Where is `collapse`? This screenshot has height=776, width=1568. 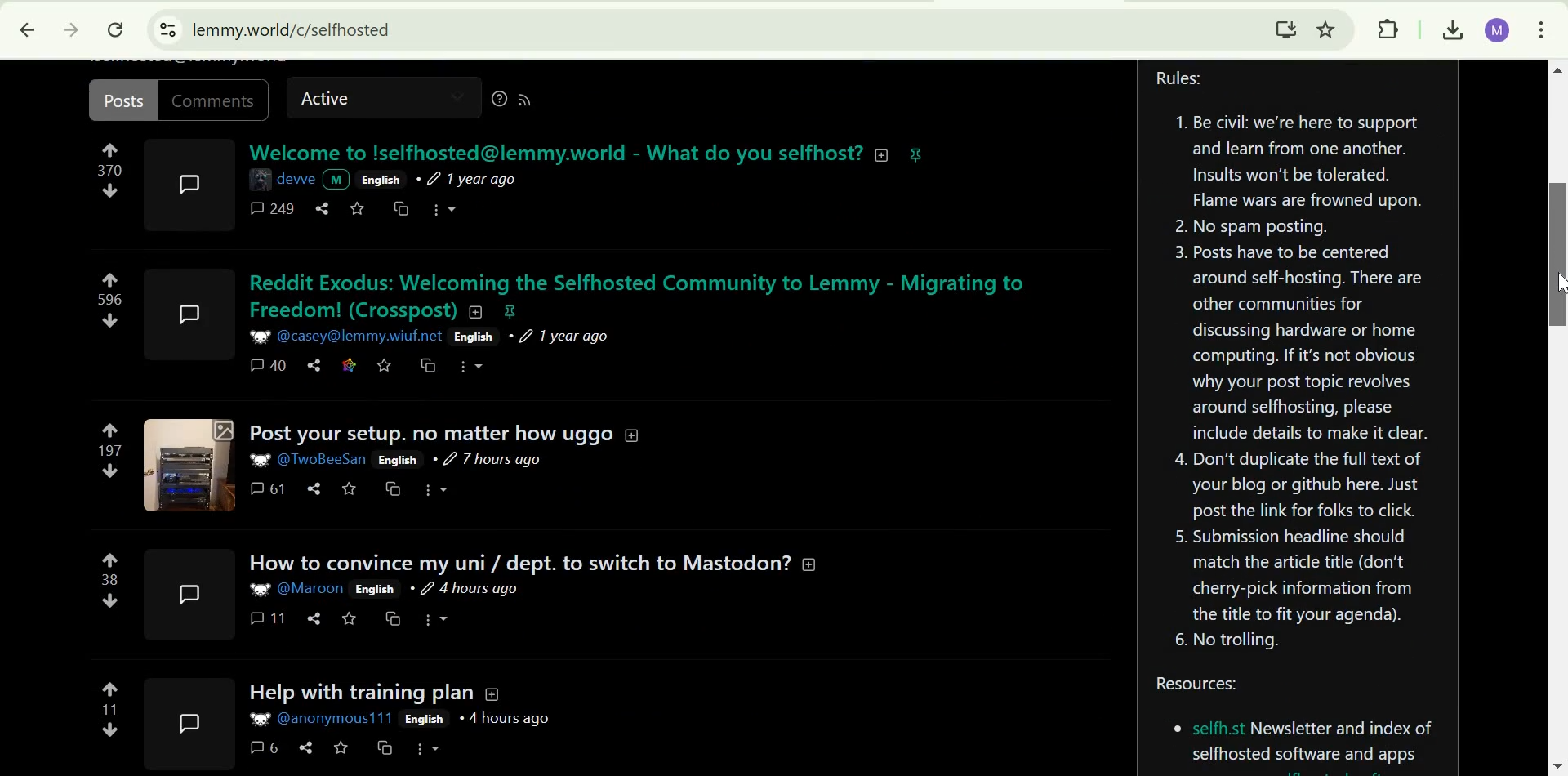 collapse is located at coordinates (886, 155).